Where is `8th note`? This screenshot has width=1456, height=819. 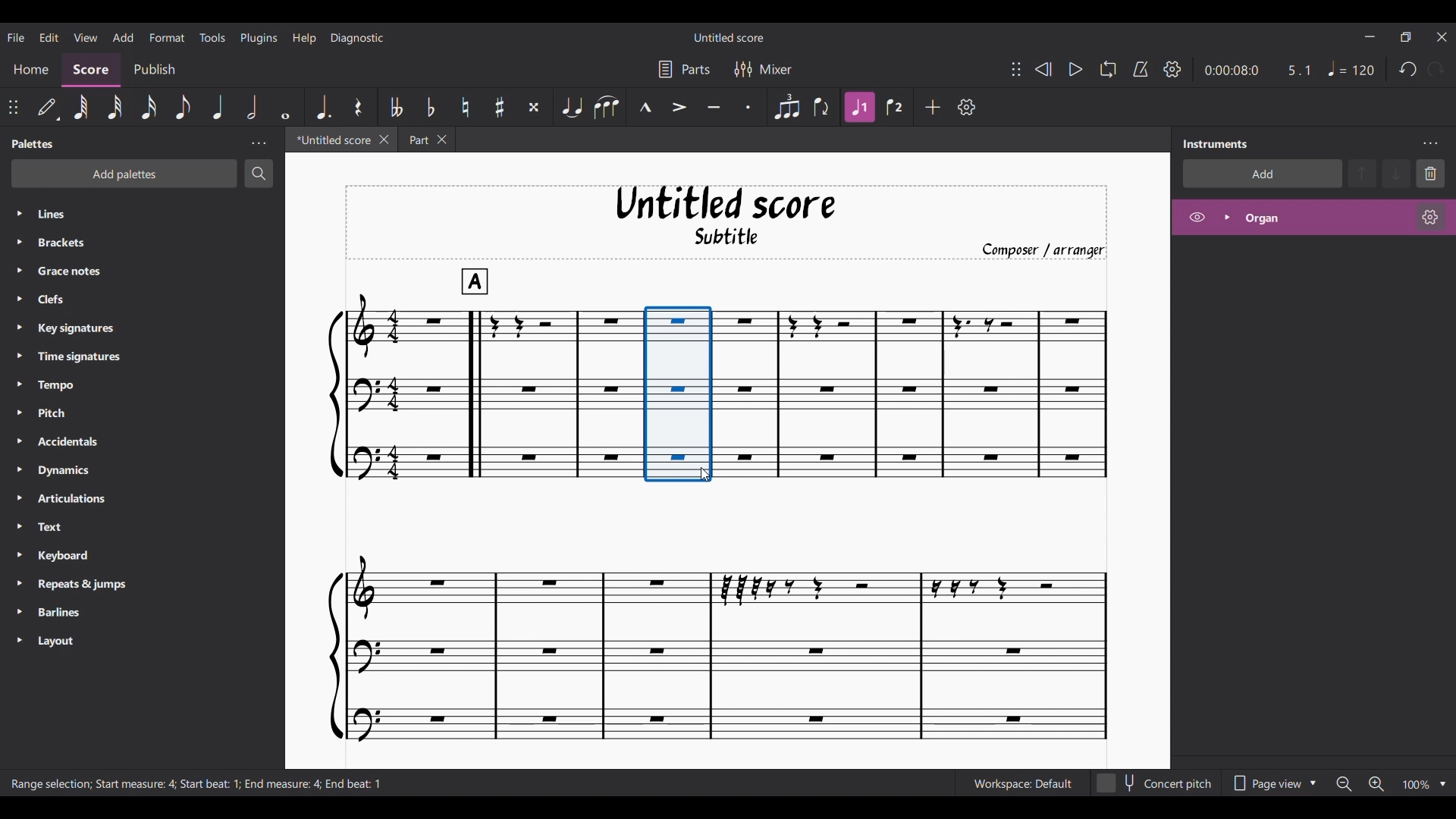
8th note is located at coordinates (184, 108).